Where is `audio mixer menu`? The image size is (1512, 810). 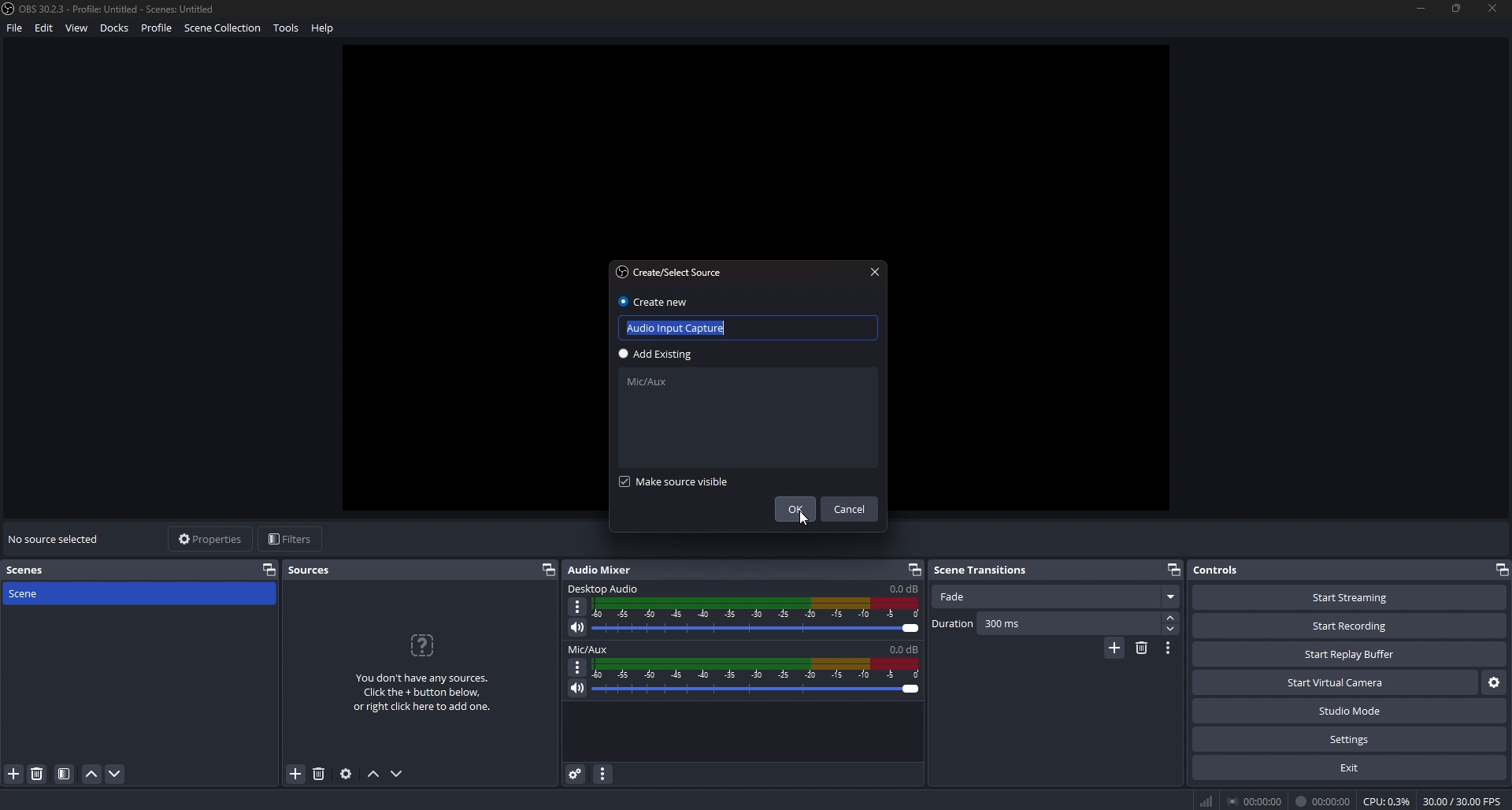
audio mixer menu is located at coordinates (604, 773).